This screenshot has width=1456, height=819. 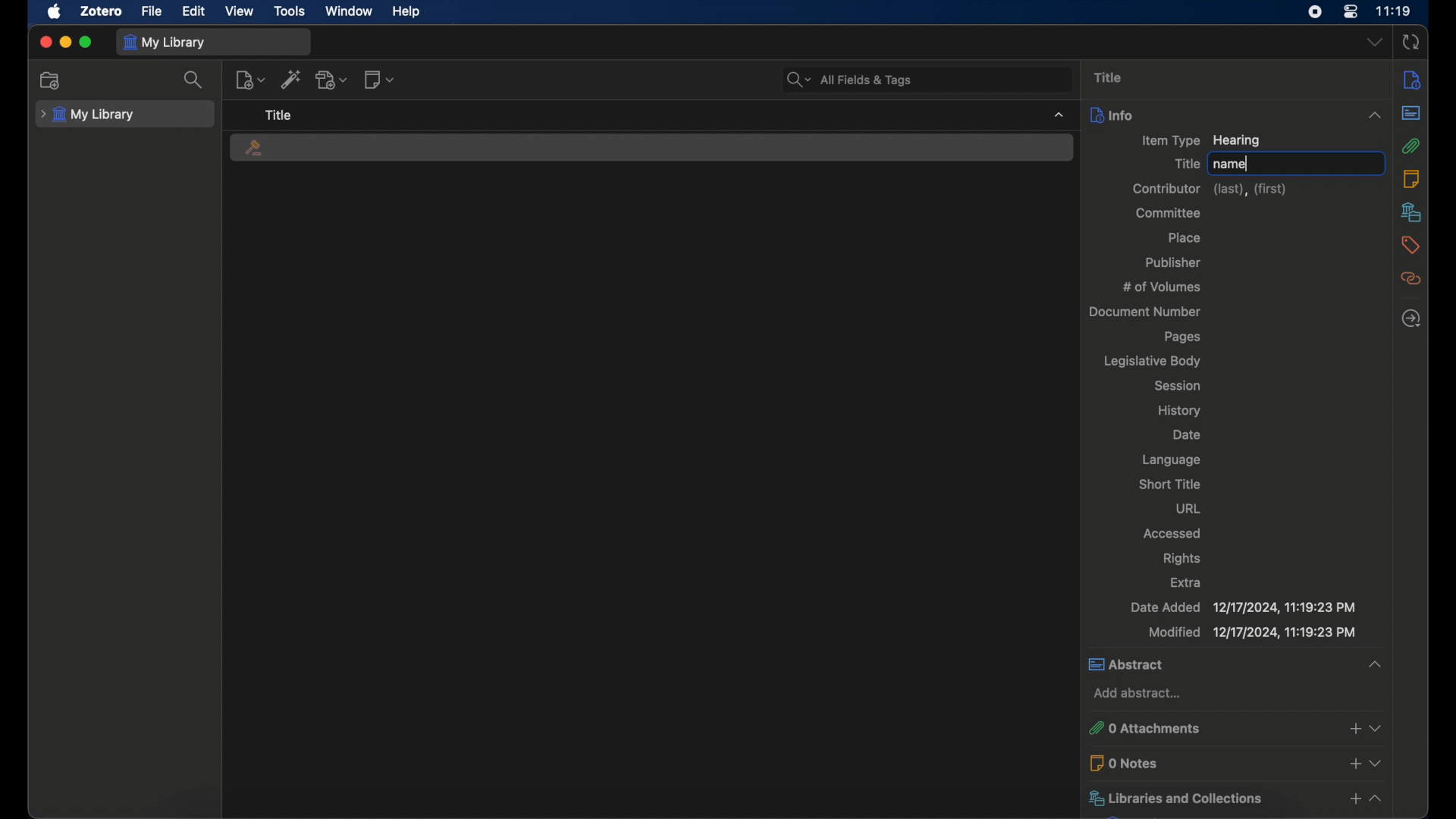 I want to click on abstract, so click(x=1412, y=113).